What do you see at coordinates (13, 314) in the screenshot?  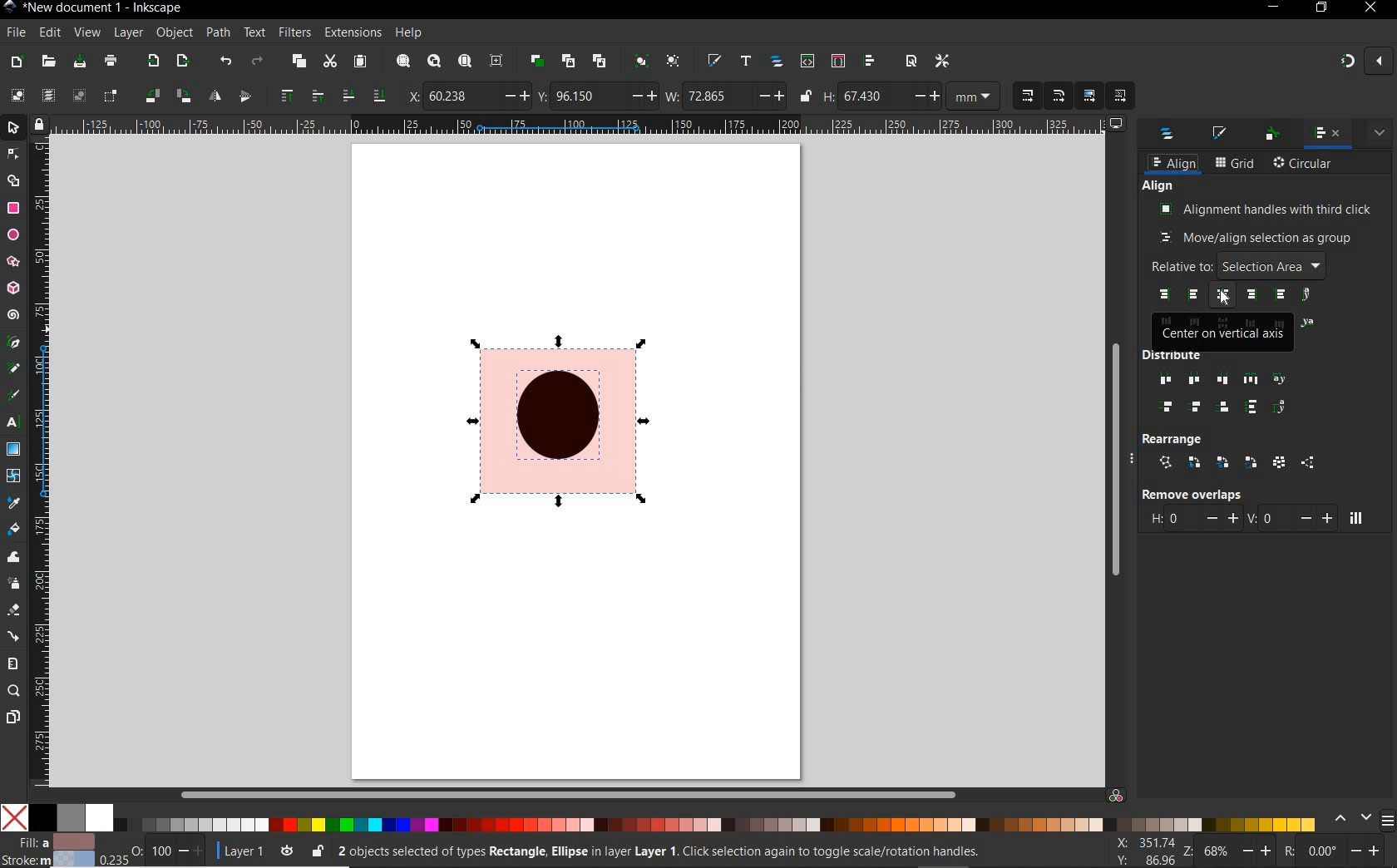 I see `spiral tool` at bounding box center [13, 314].